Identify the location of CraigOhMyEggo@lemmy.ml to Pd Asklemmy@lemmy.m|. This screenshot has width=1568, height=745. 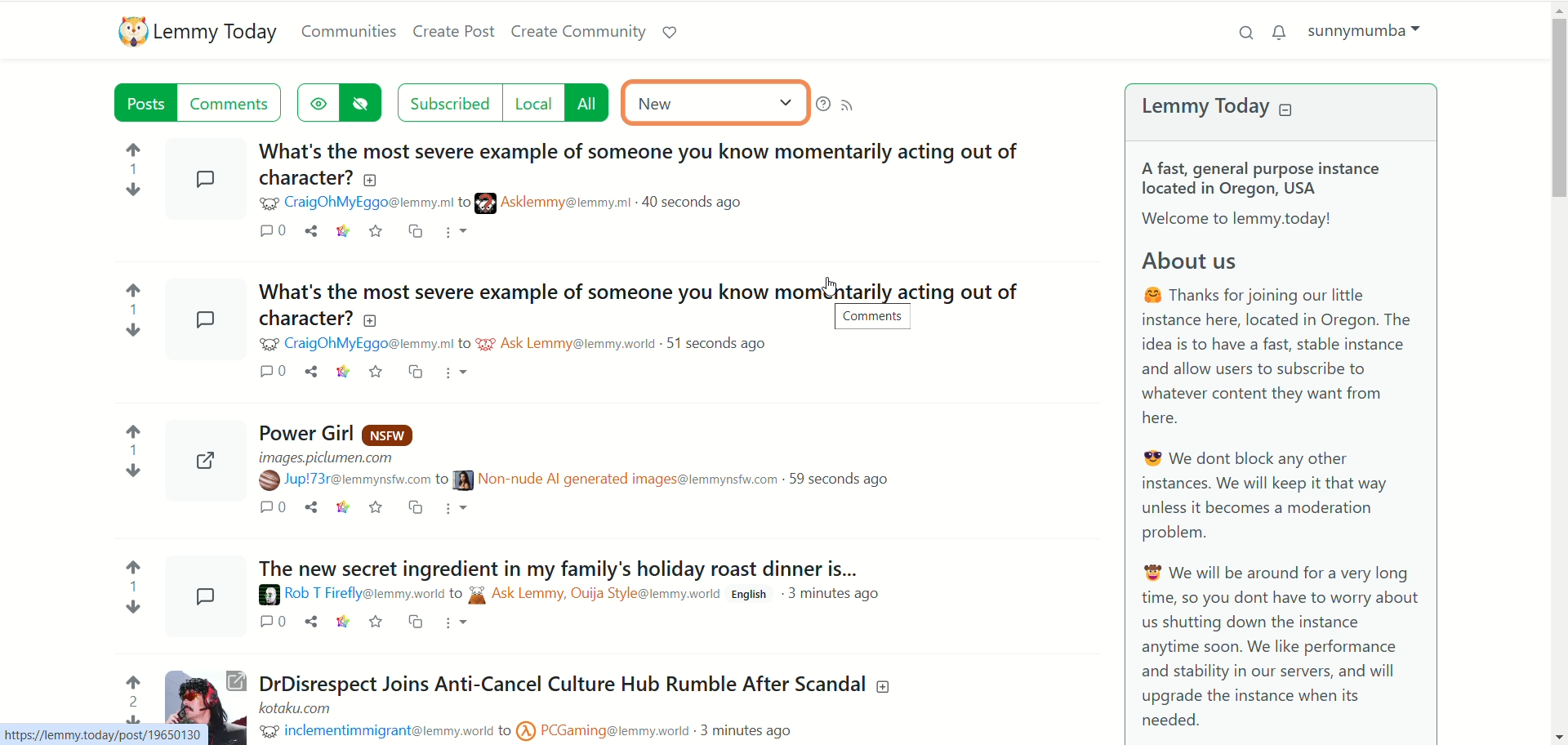
(459, 344).